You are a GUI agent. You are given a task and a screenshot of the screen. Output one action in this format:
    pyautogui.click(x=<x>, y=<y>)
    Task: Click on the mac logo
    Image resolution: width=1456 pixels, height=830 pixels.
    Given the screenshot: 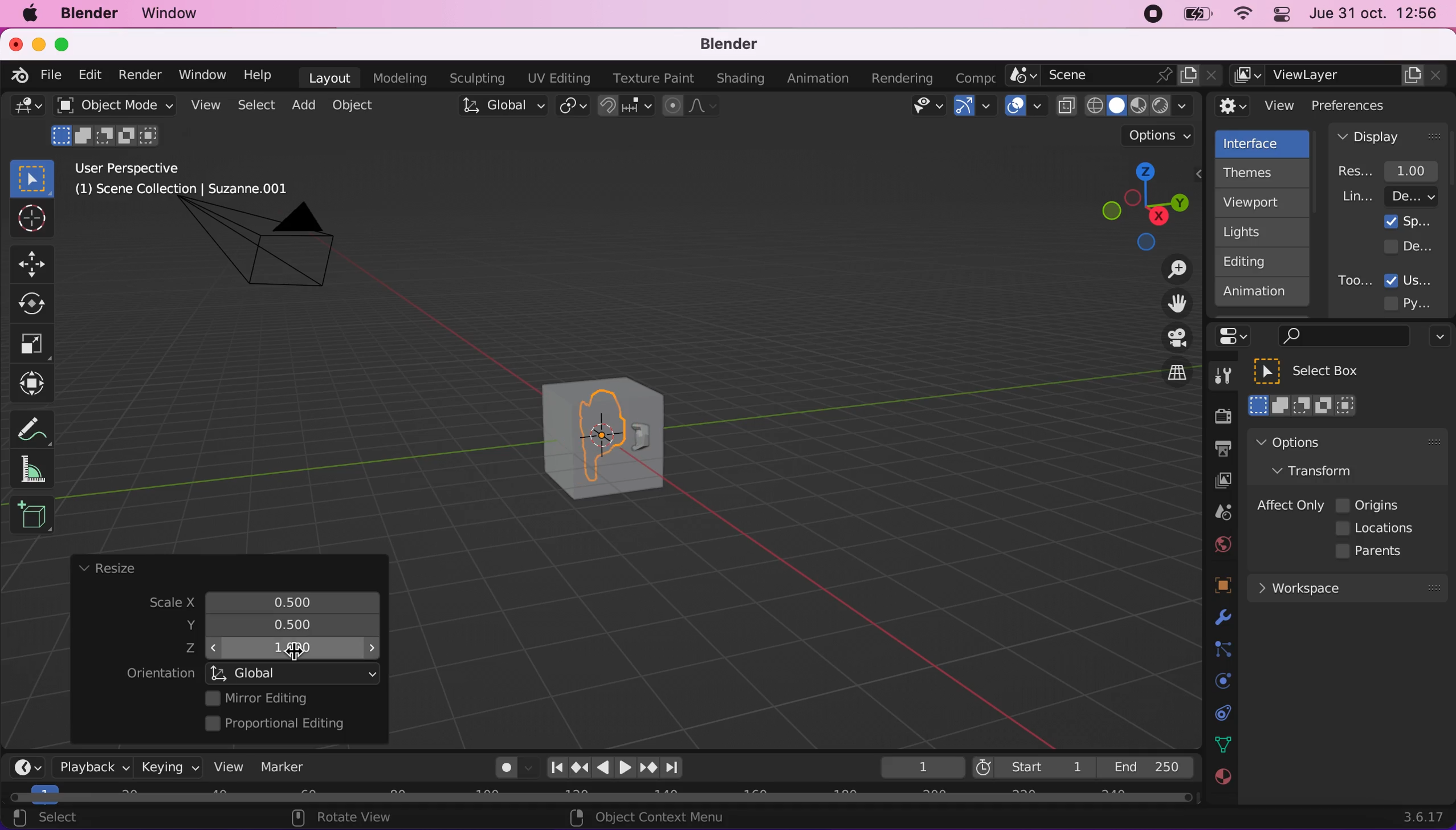 What is the action you would take?
    pyautogui.click(x=29, y=15)
    